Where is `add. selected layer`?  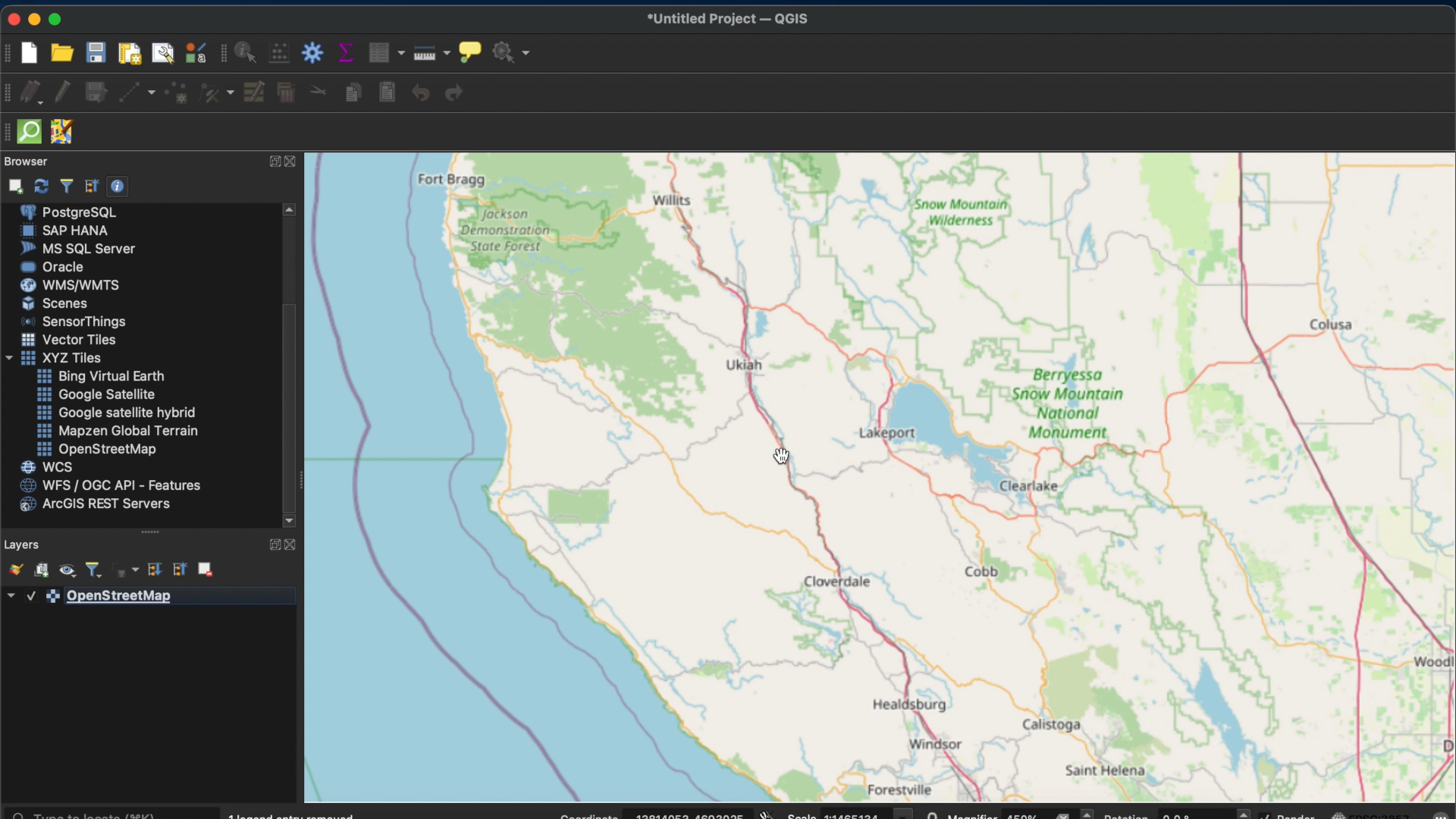
add. selected layer is located at coordinates (13, 184).